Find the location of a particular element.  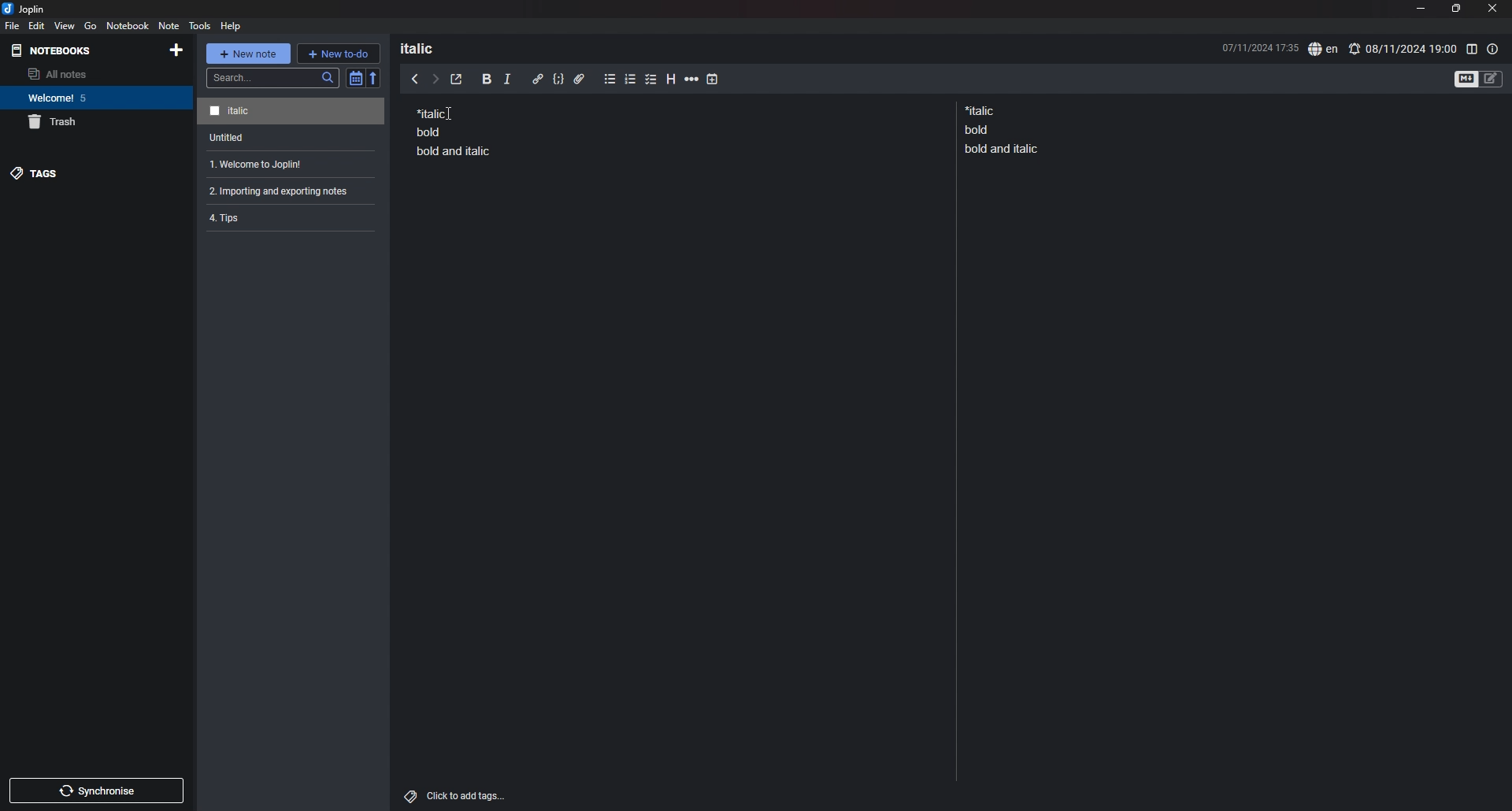

notebook is located at coordinates (128, 25).